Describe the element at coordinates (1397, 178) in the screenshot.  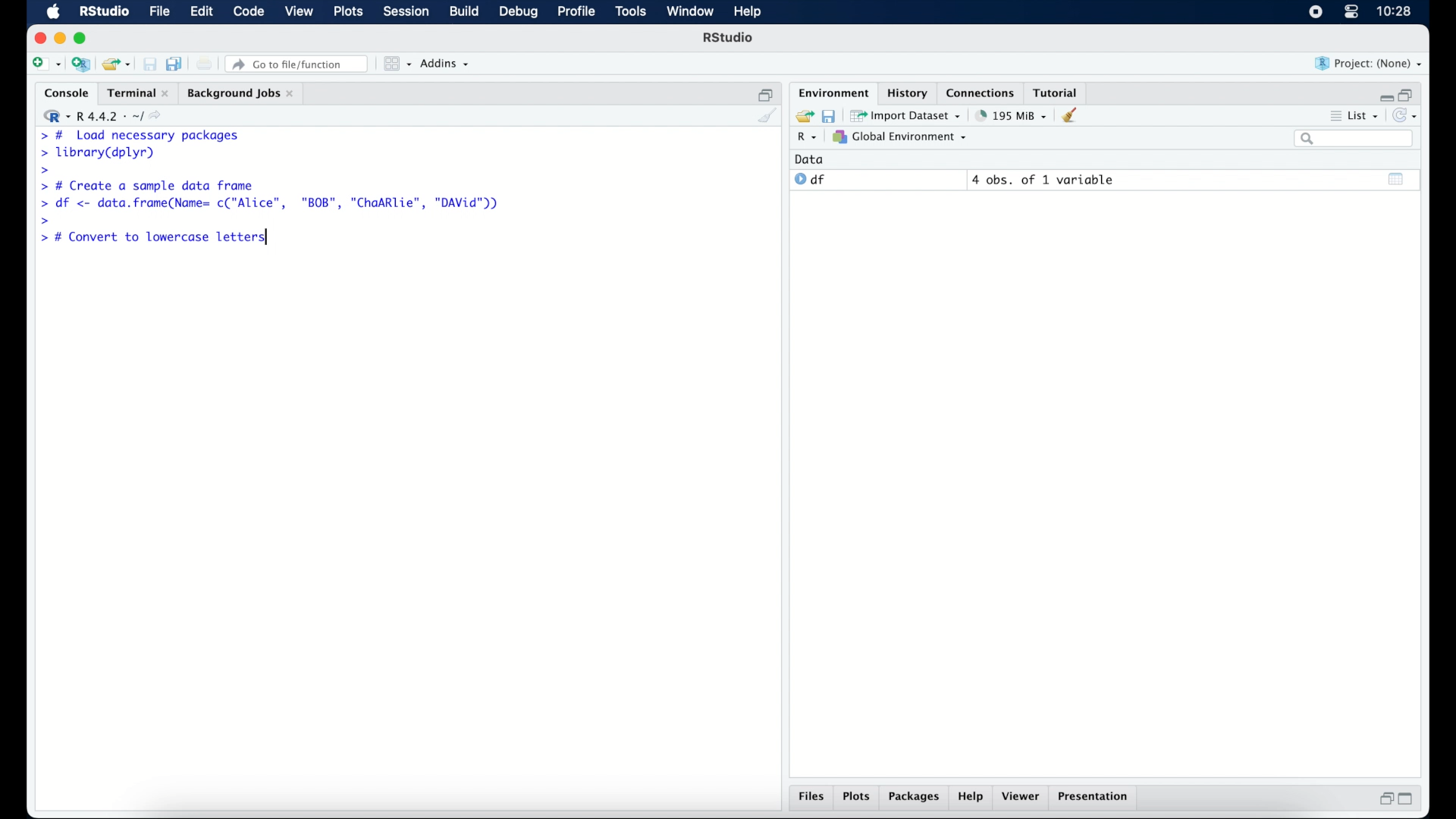
I see `show output  window` at that location.